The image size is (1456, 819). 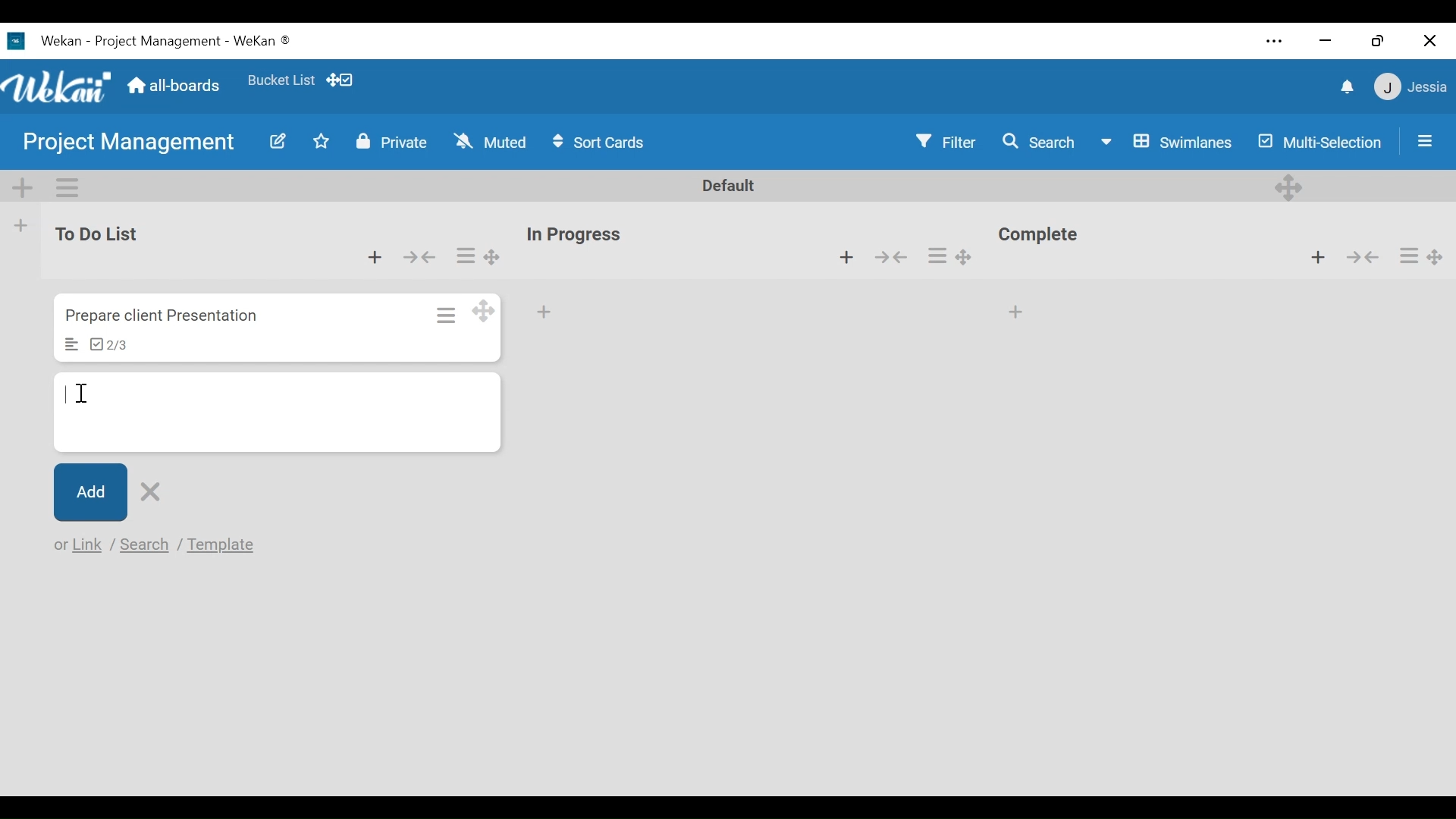 I want to click on Complete, so click(x=1044, y=237).